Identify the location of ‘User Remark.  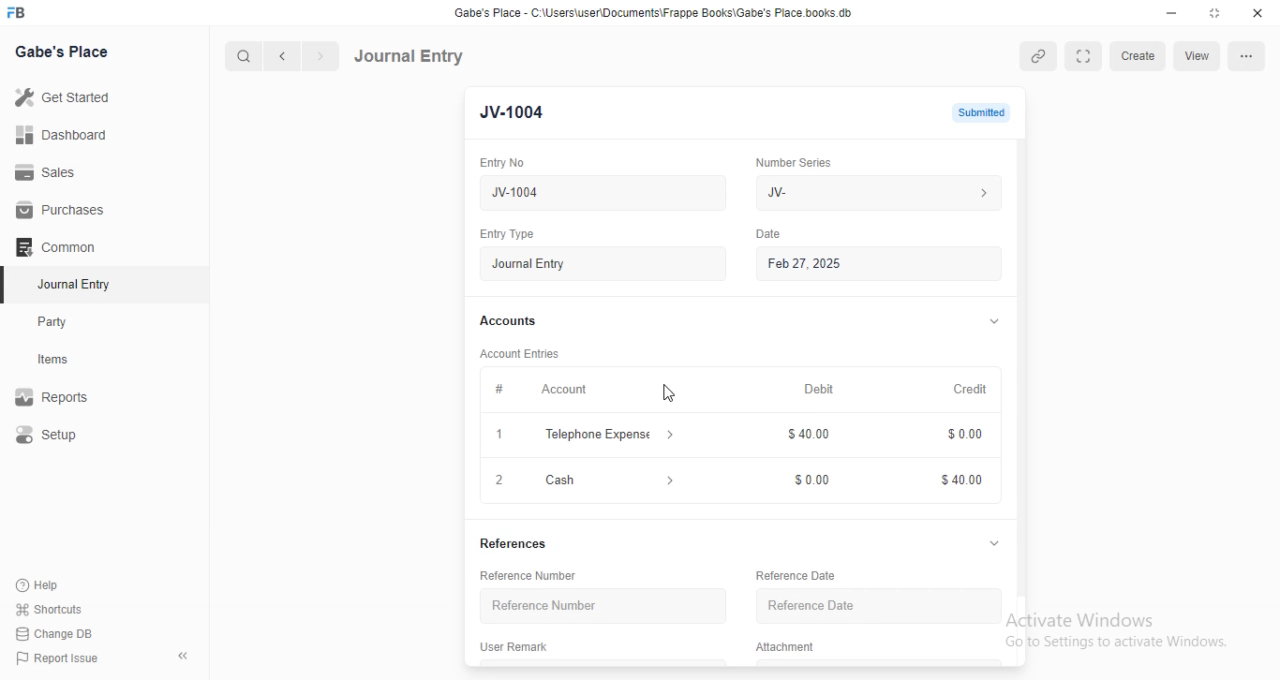
(515, 646).